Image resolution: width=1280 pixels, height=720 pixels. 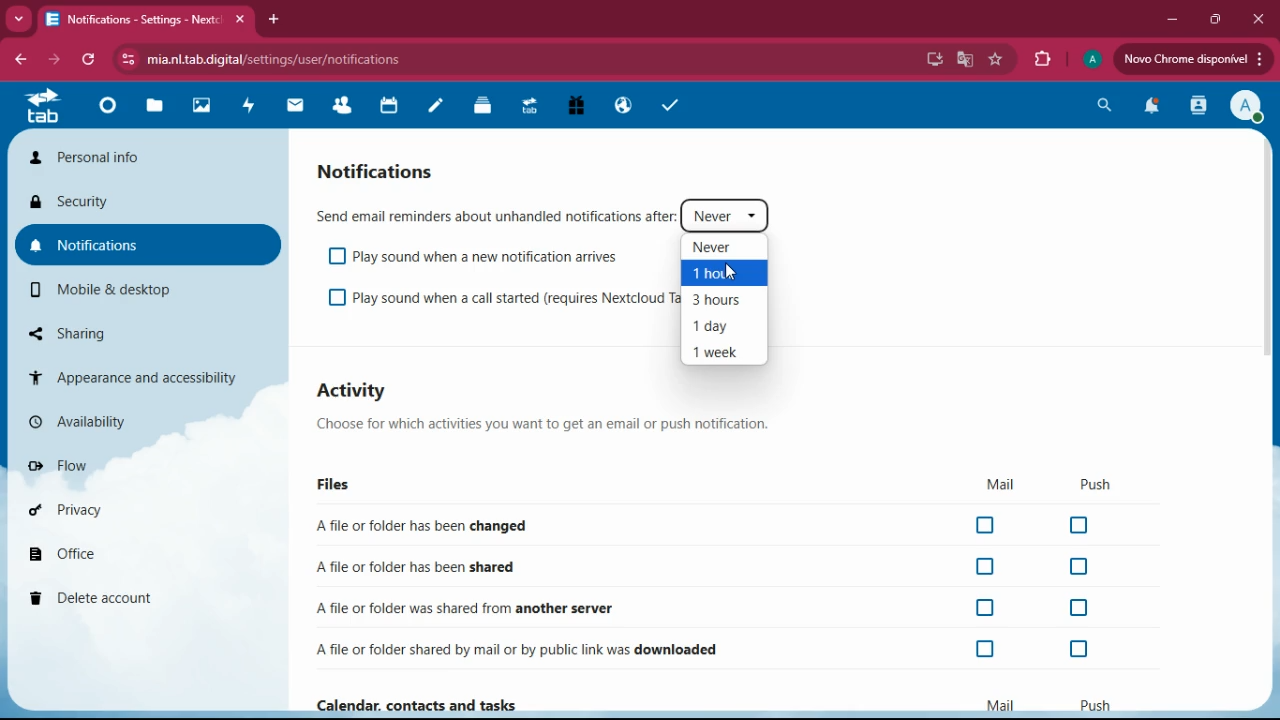 What do you see at coordinates (1105, 103) in the screenshot?
I see `search` at bounding box center [1105, 103].